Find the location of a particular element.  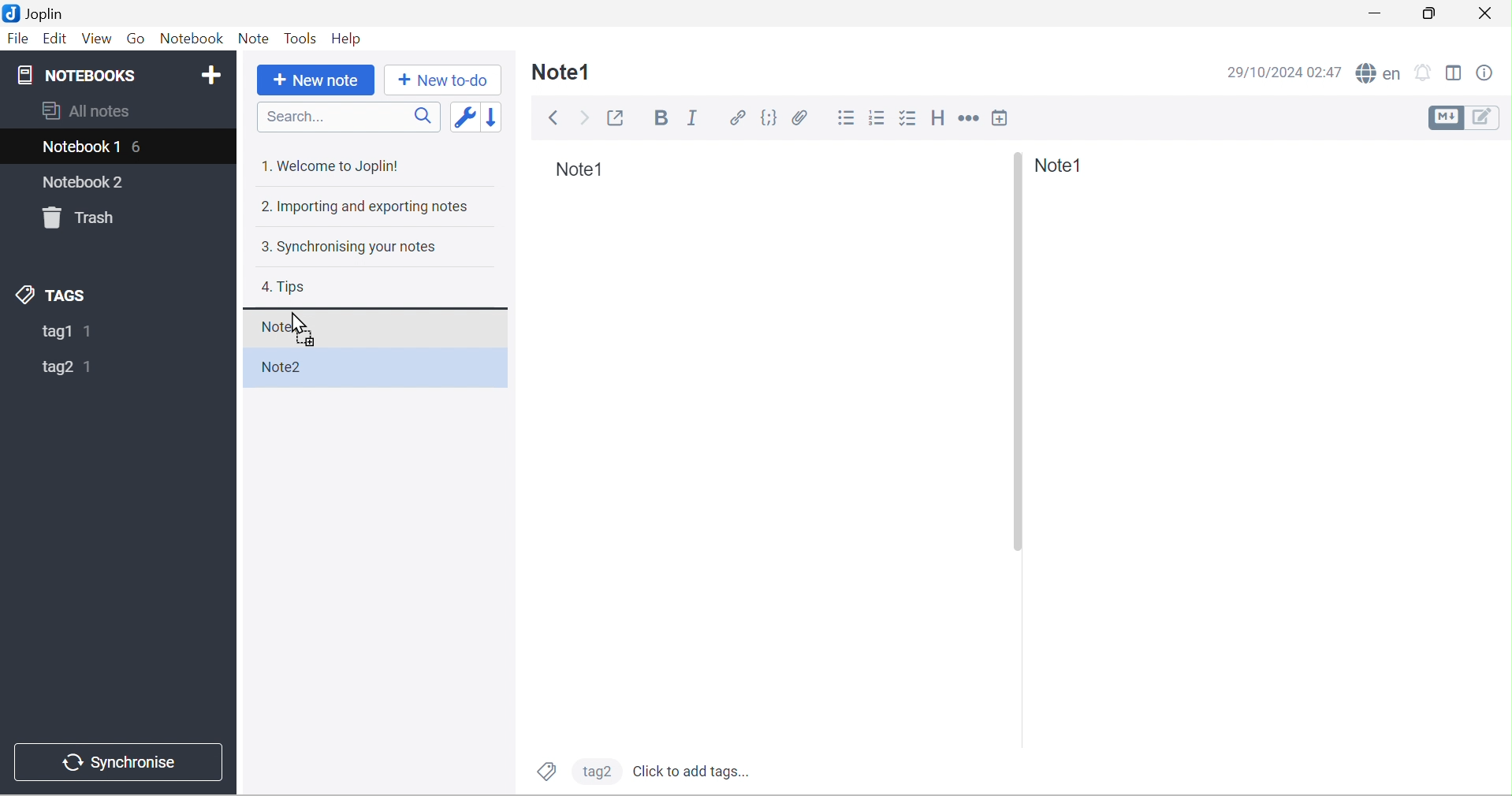

Attach file is located at coordinates (799, 117).